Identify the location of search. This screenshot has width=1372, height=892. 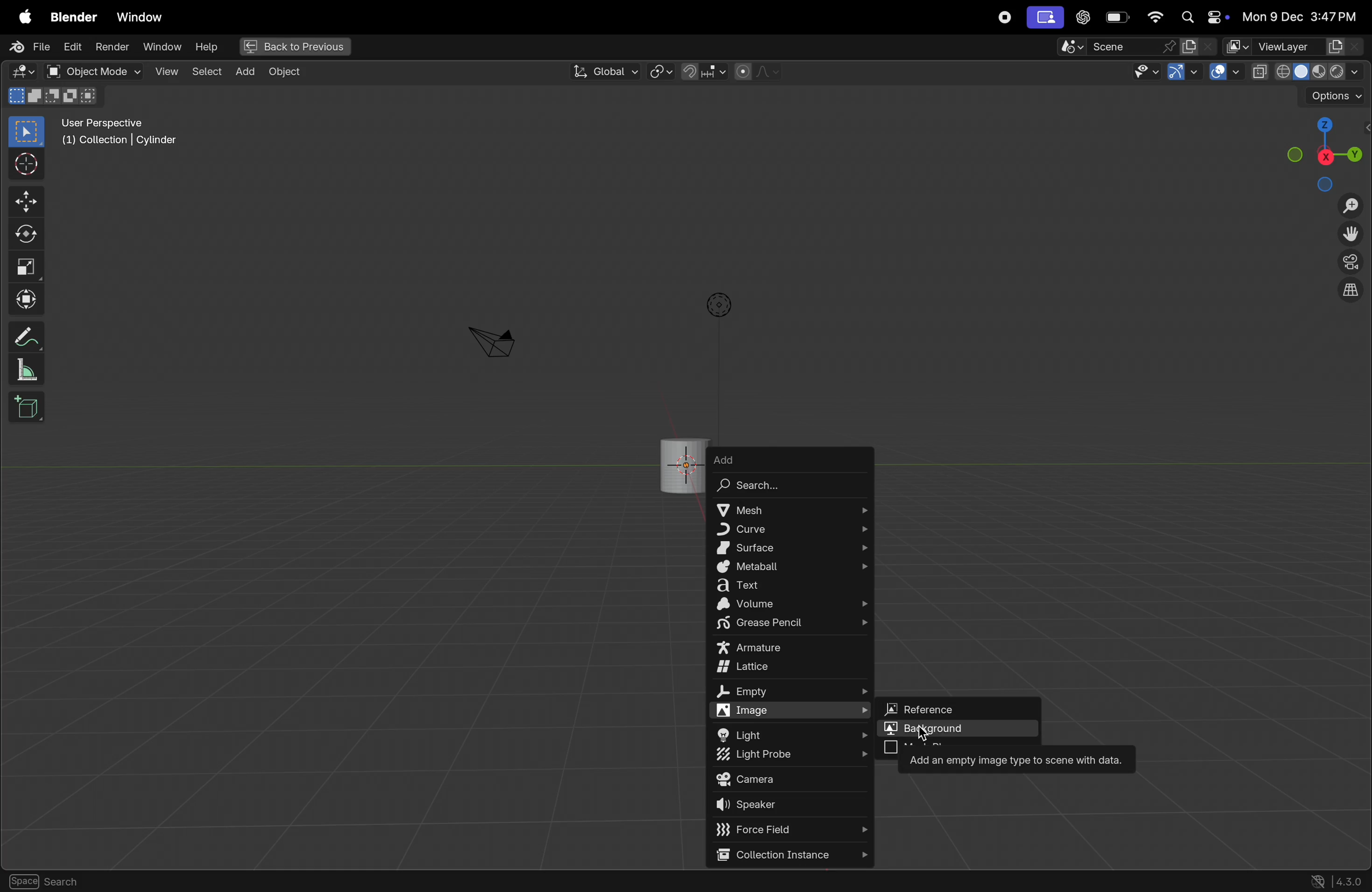
(775, 487).